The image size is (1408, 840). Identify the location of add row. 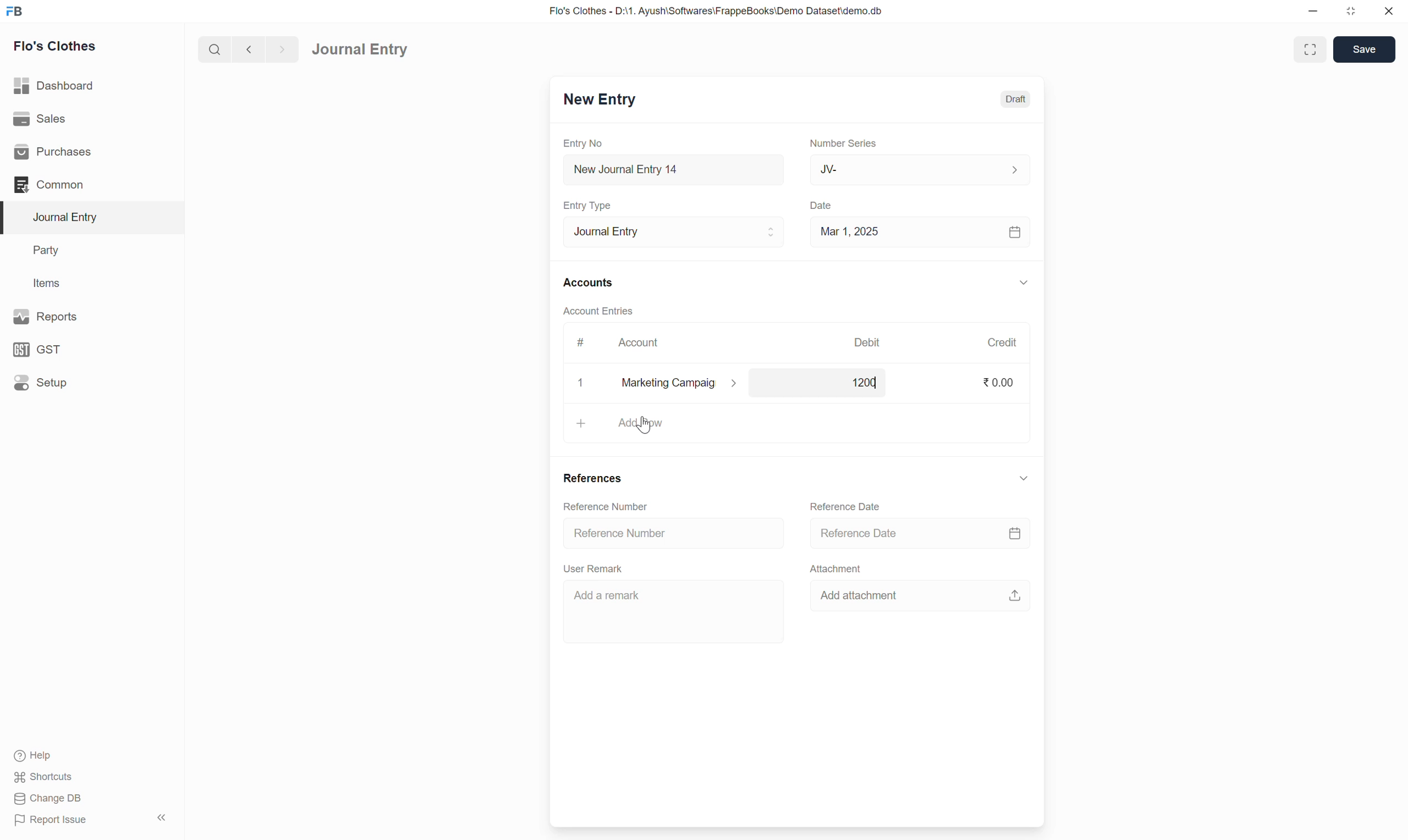
(644, 422).